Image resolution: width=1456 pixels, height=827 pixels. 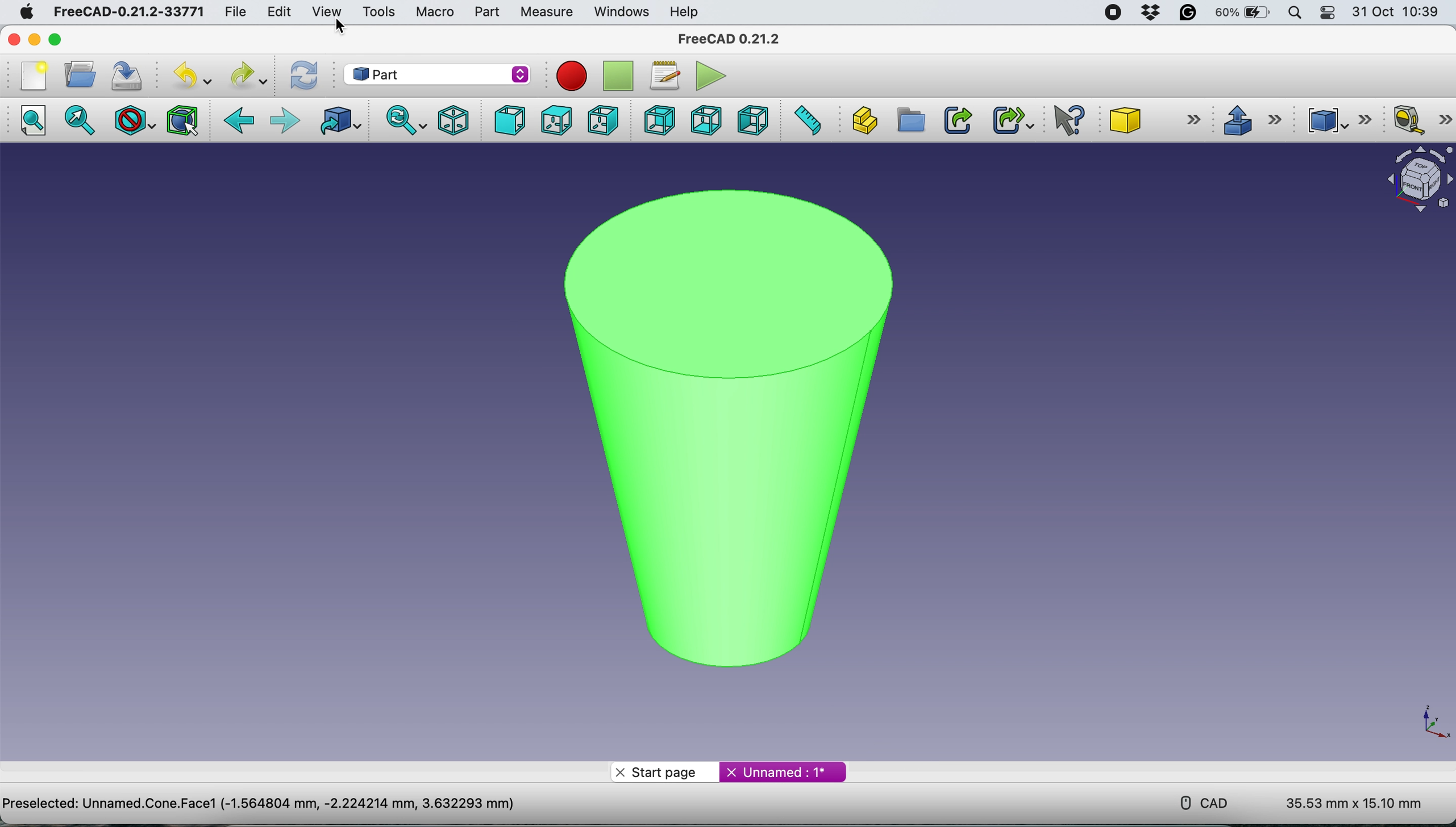 What do you see at coordinates (403, 120) in the screenshot?
I see `sync view` at bounding box center [403, 120].